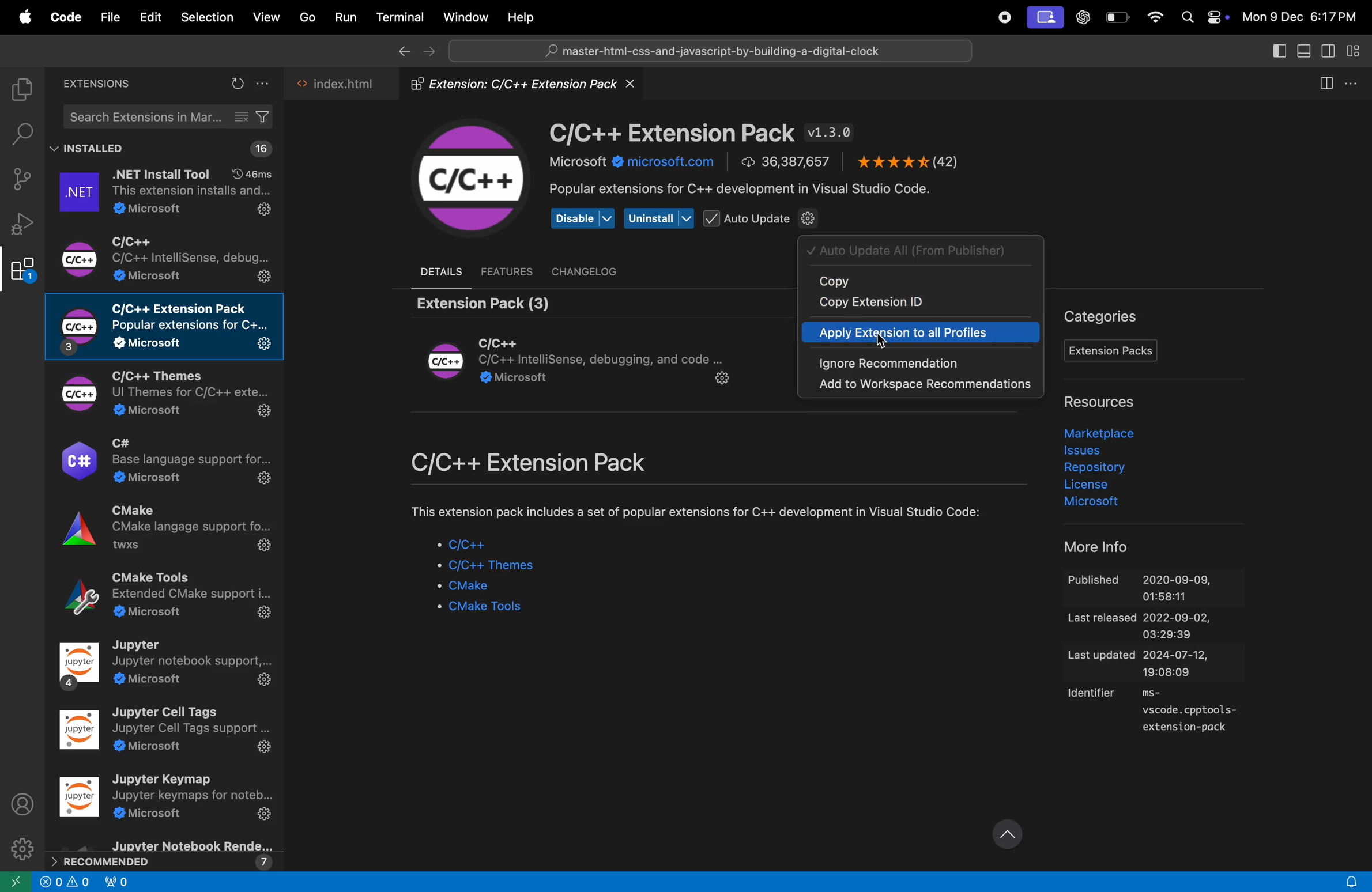  What do you see at coordinates (22, 224) in the screenshot?
I see `debug` at bounding box center [22, 224].